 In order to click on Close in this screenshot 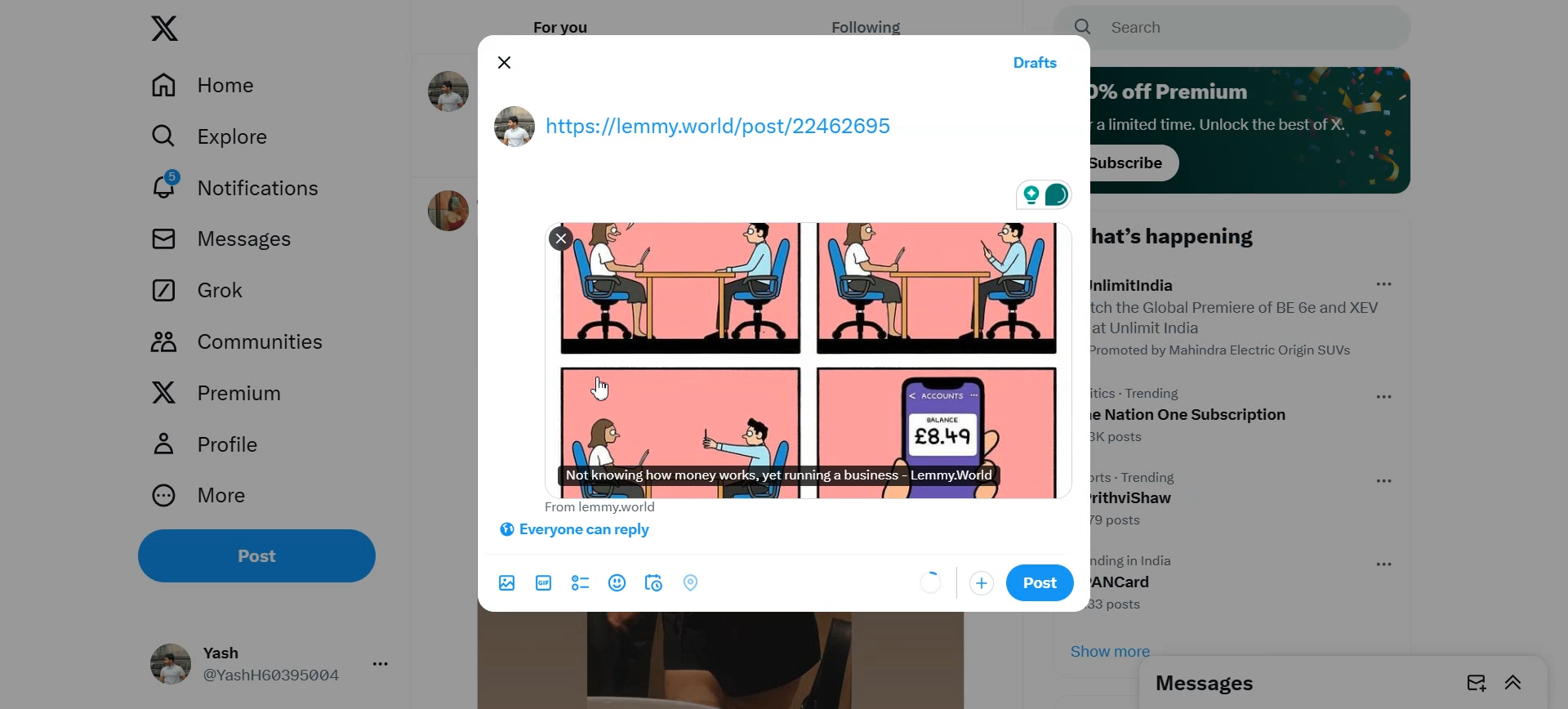, I will do `click(563, 239)`.